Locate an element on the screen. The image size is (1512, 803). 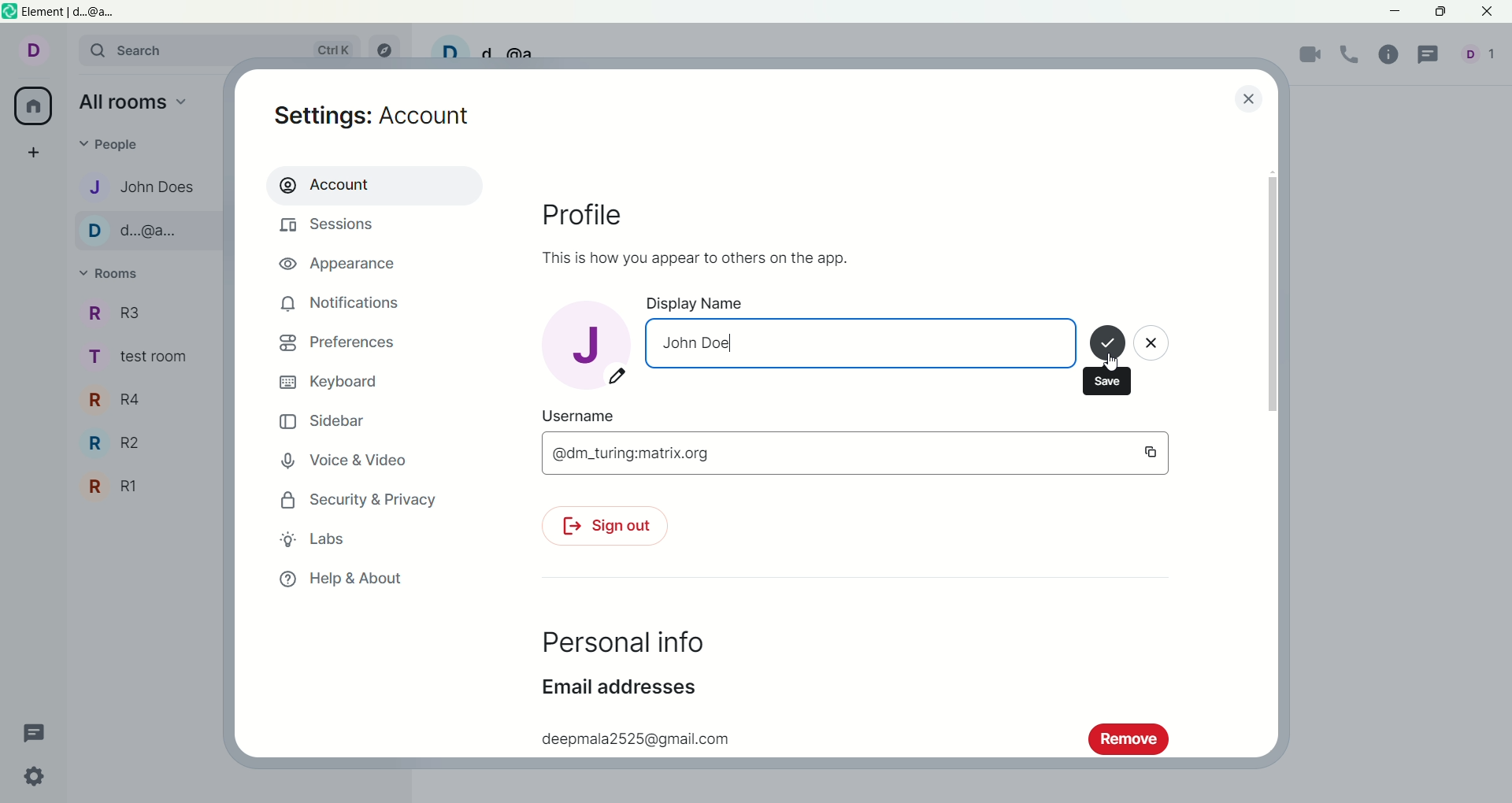
sign out is located at coordinates (602, 528).